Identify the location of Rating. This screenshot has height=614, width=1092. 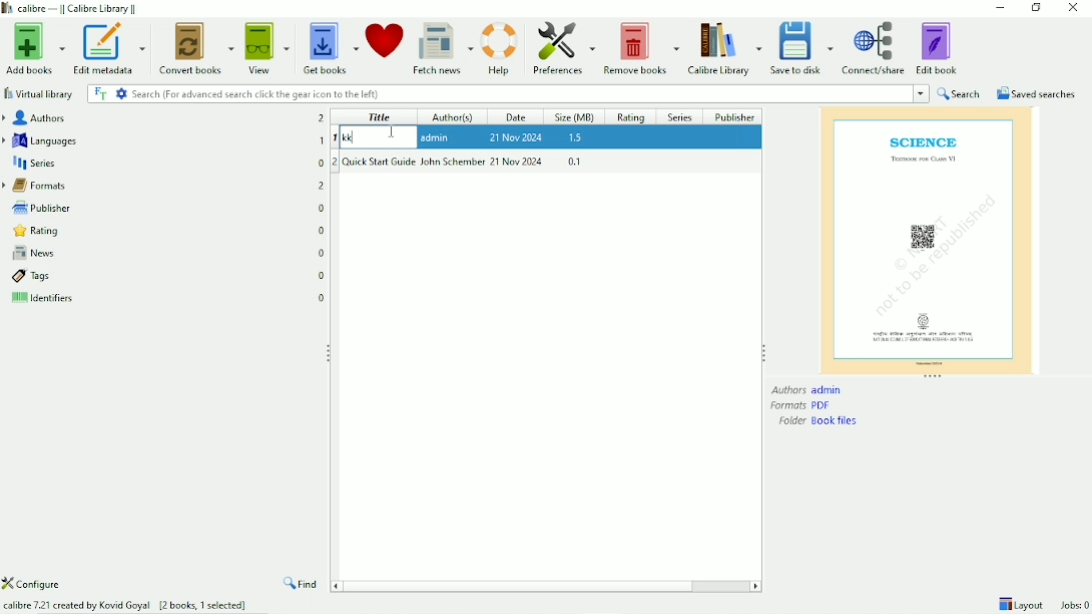
(33, 231).